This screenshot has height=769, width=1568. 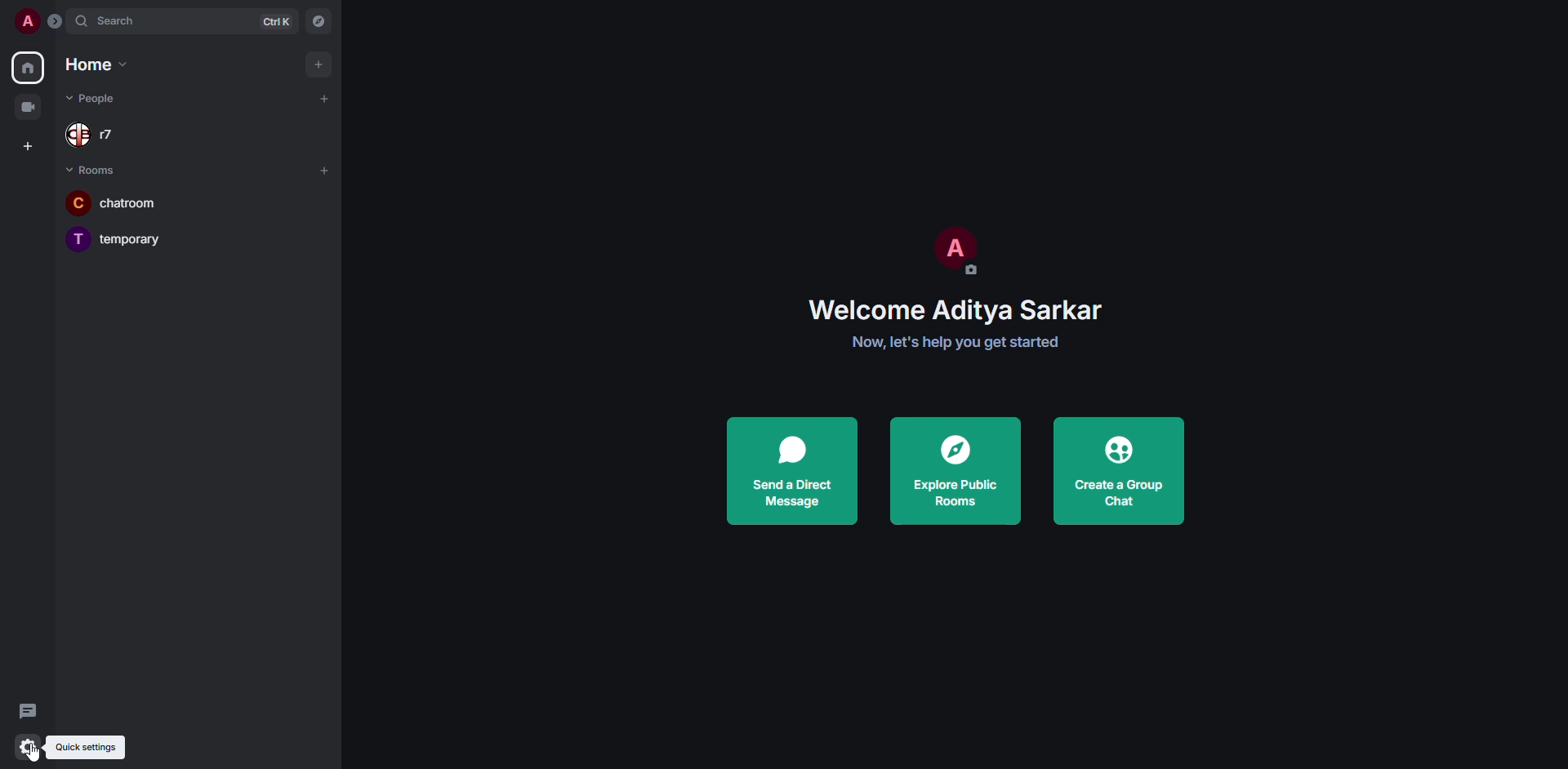 What do you see at coordinates (951, 342) in the screenshot?
I see `get started` at bounding box center [951, 342].